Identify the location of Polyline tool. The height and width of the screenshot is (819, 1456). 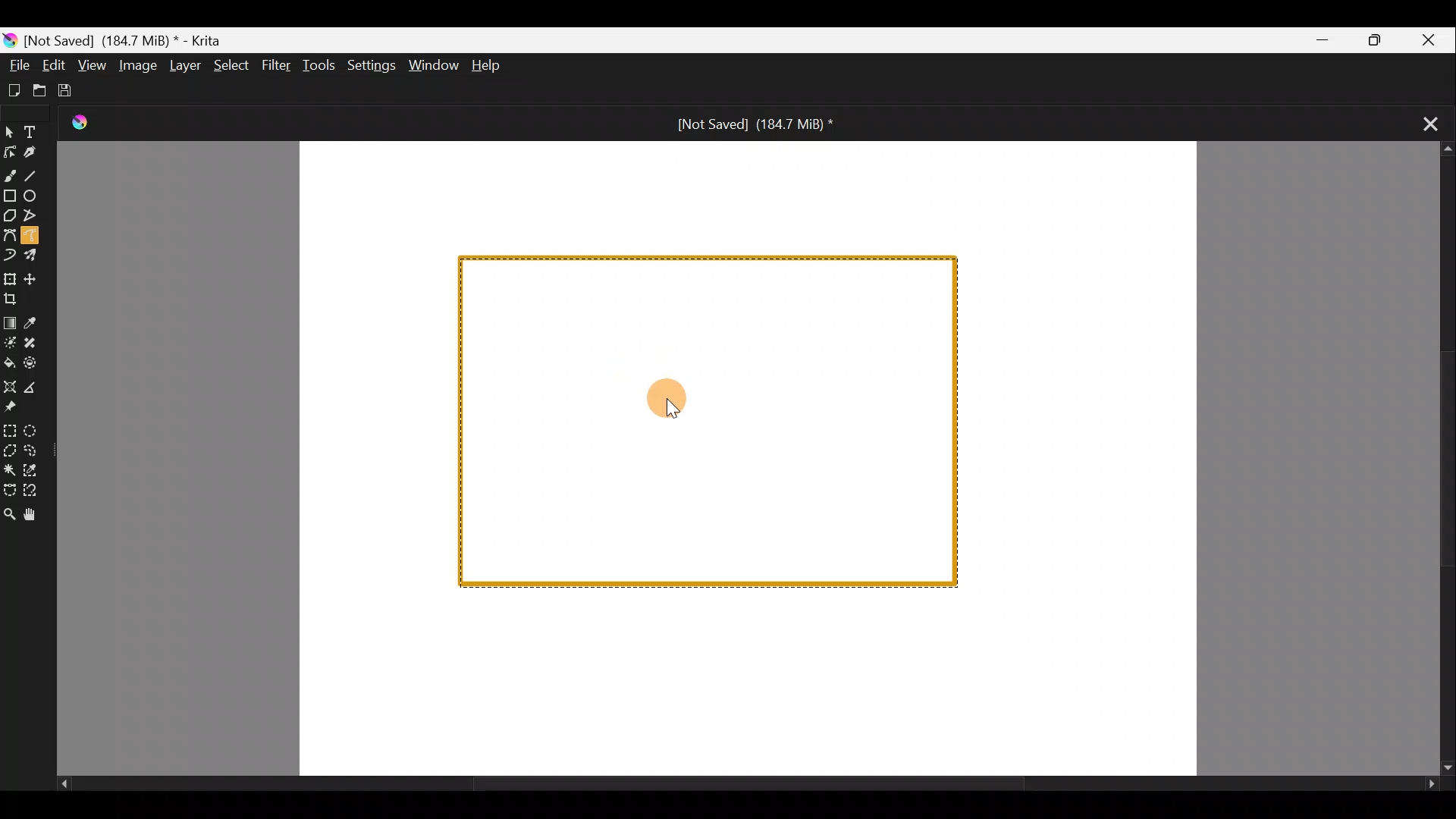
(36, 217).